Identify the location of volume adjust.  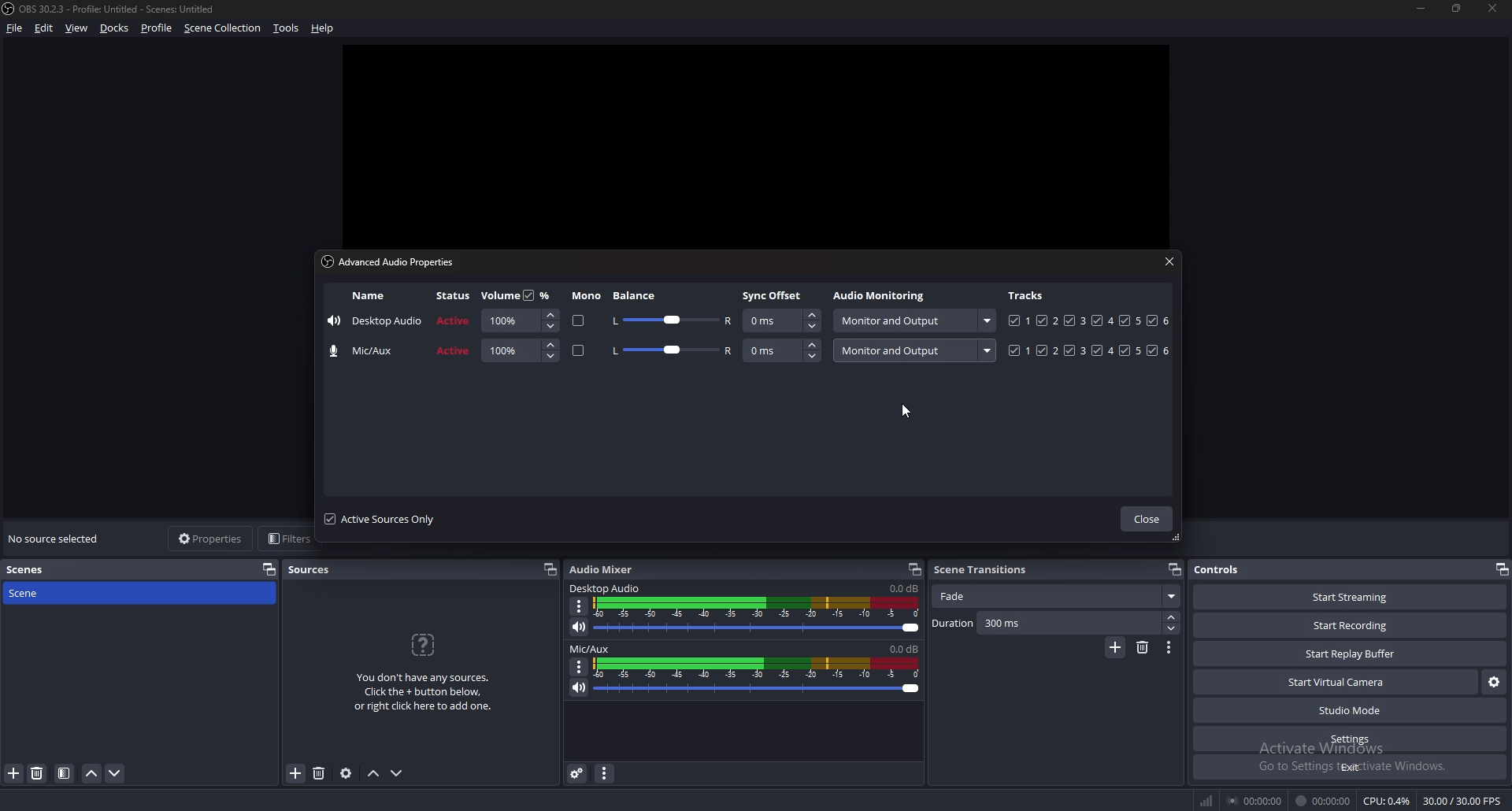
(520, 351).